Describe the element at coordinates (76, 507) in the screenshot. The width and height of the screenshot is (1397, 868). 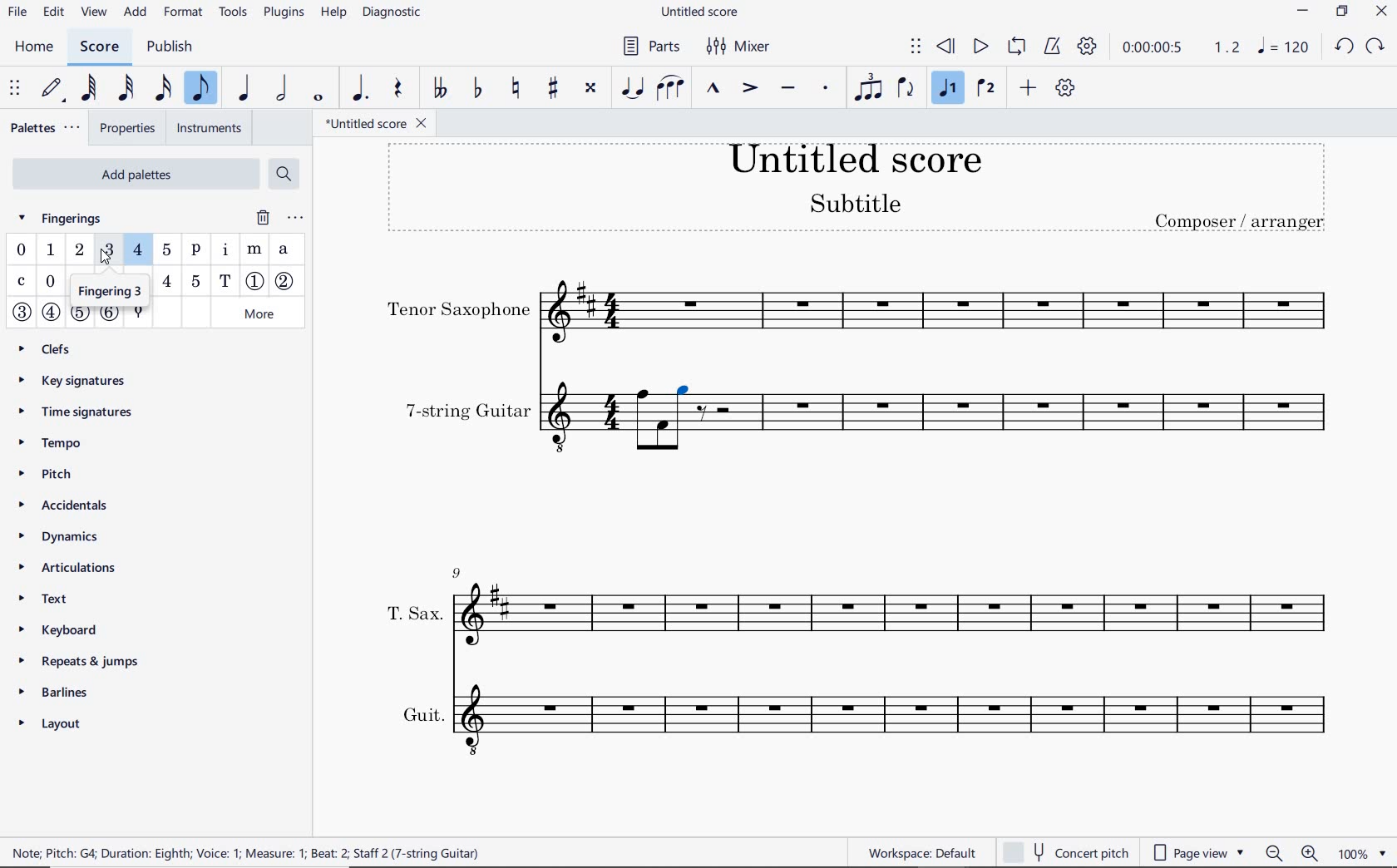
I see `ACCIDENTALS` at that location.